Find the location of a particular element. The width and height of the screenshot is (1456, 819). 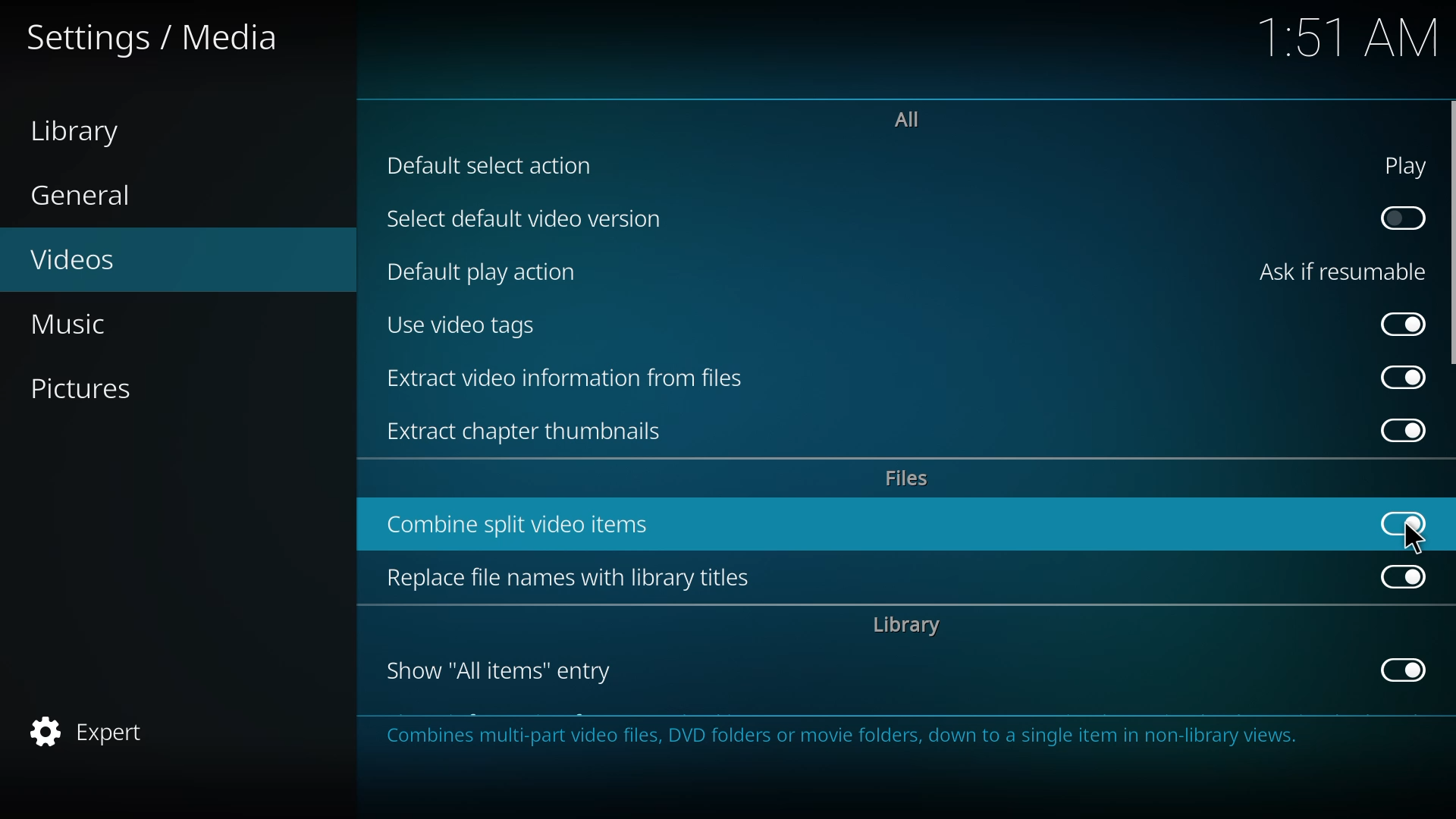

time is located at coordinates (1351, 35).